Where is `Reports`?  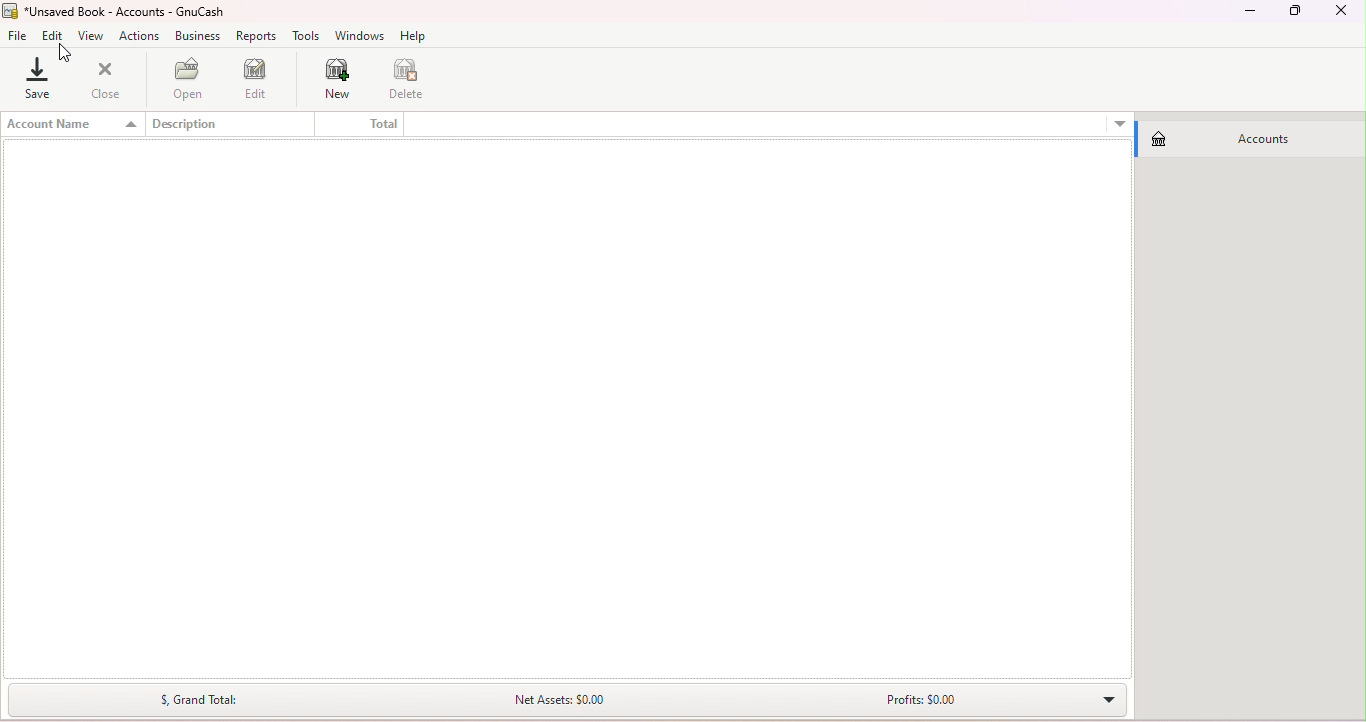
Reports is located at coordinates (255, 36).